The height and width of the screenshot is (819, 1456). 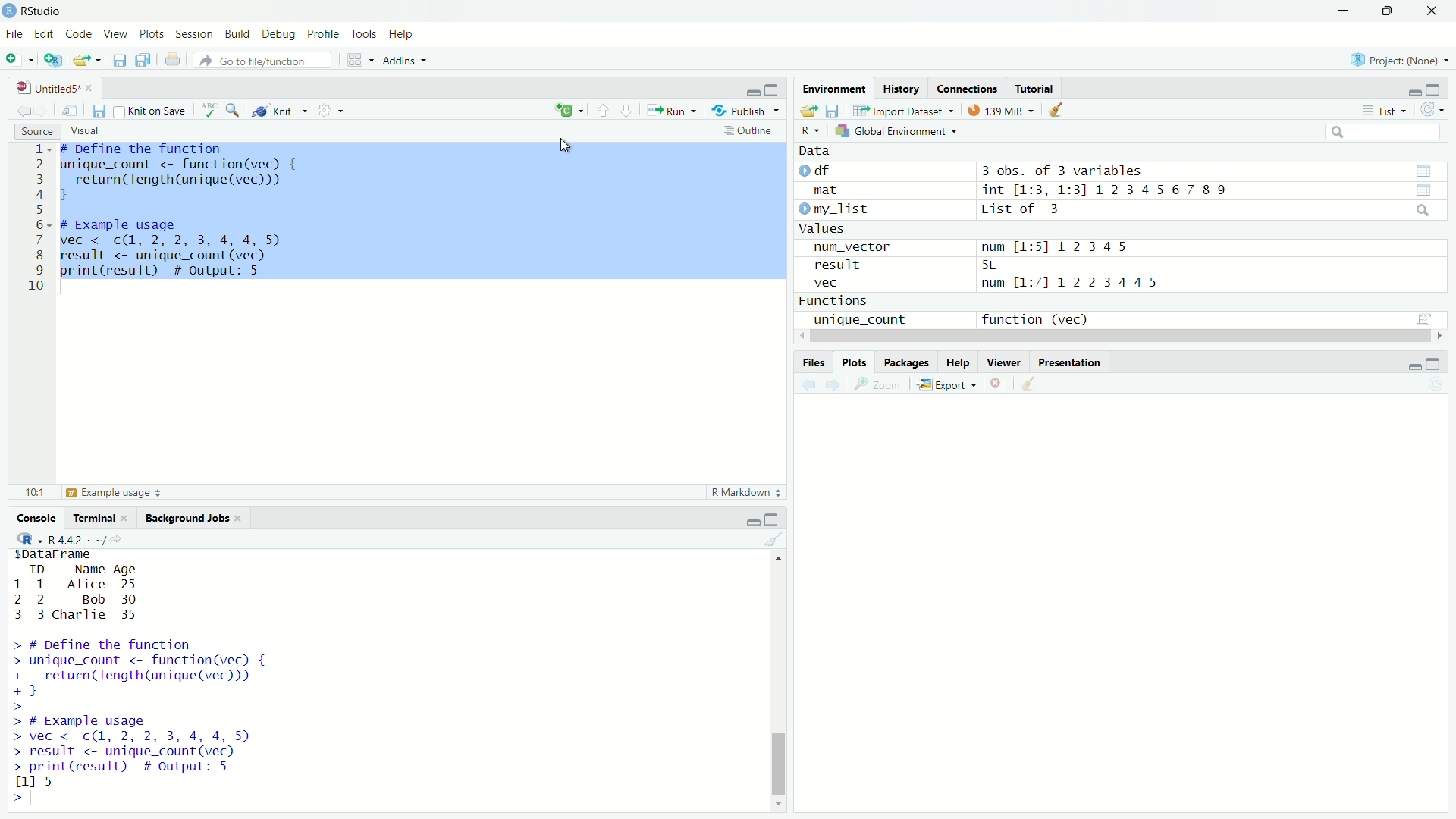 What do you see at coordinates (152, 34) in the screenshot?
I see `Plots` at bounding box center [152, 34].